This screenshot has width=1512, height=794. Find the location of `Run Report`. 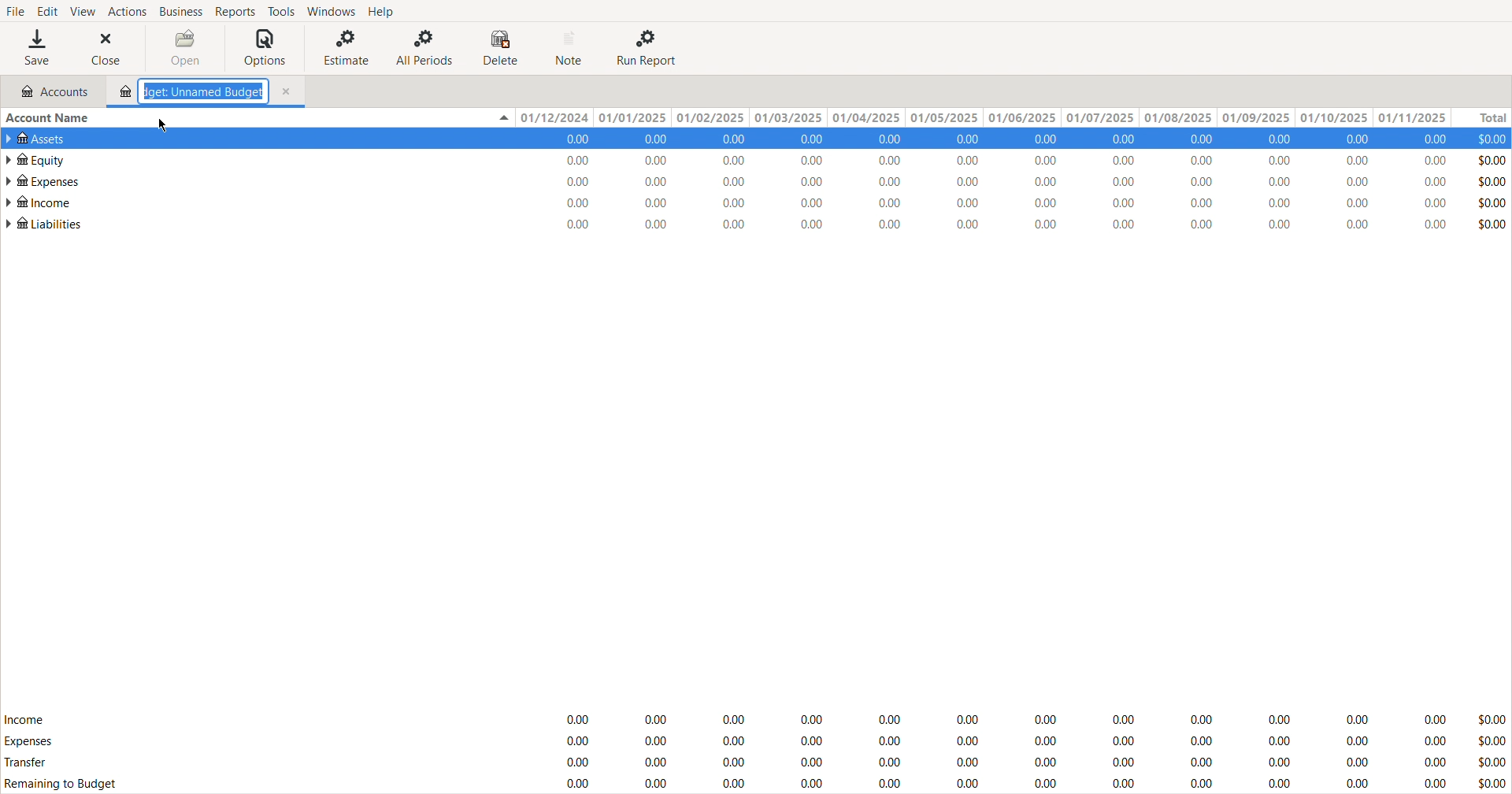

Run Report is located at coordinates (647, 47).